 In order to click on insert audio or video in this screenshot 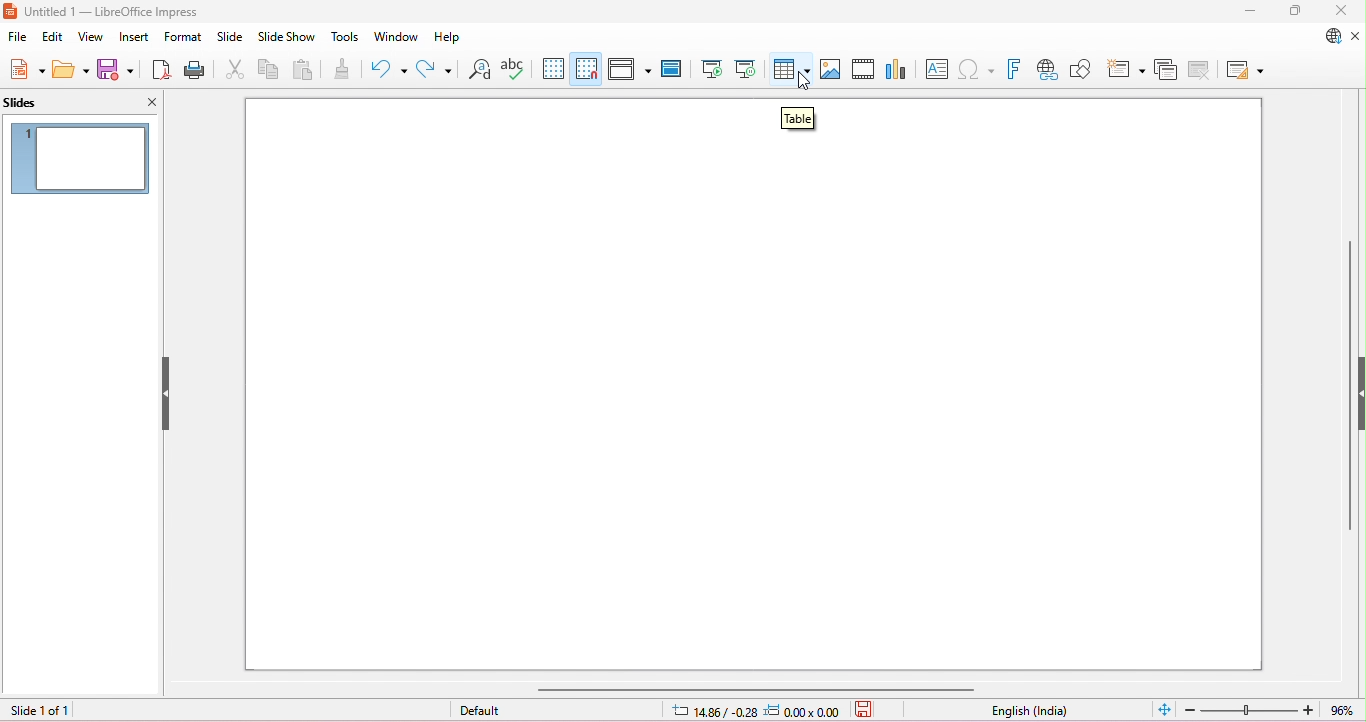, I will do `click(863, 70)`.